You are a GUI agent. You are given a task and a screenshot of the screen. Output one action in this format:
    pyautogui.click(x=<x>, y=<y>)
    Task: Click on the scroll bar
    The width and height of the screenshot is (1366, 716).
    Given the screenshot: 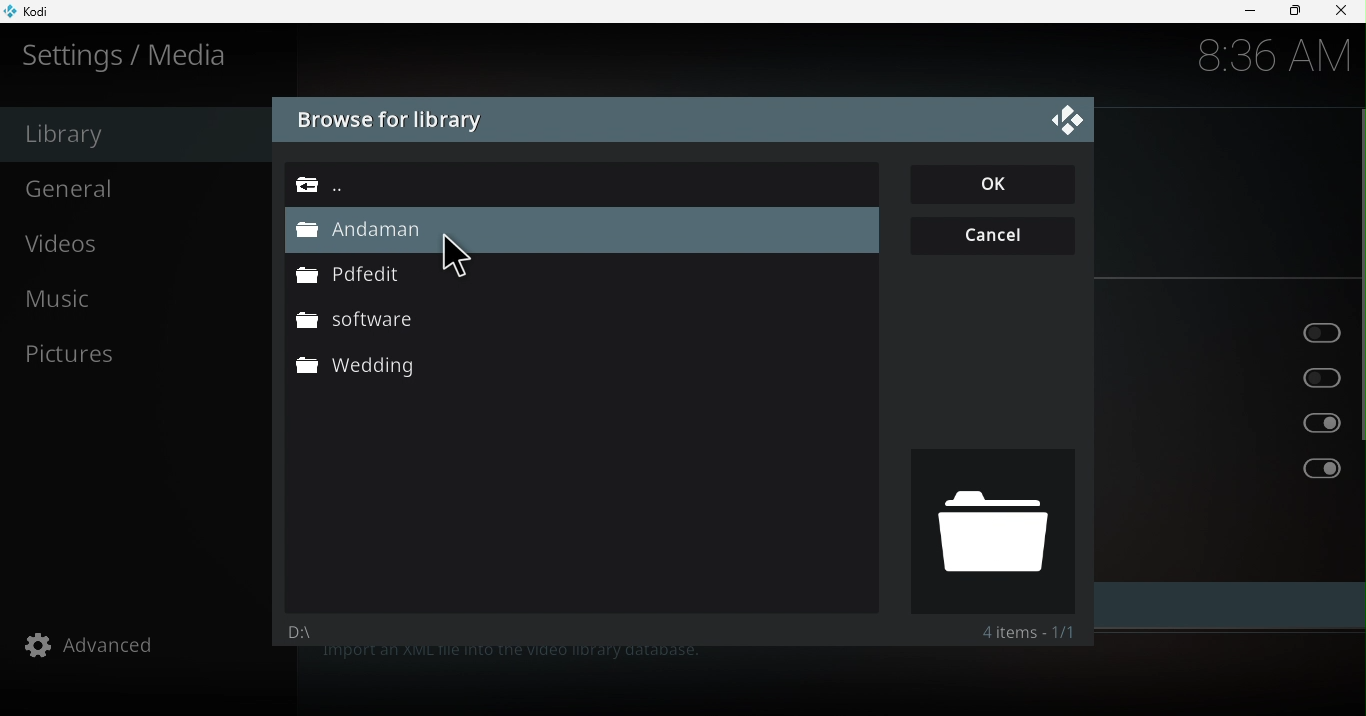 What is the action you would take?
    pyautogui.click(x=1358, y=367)
    